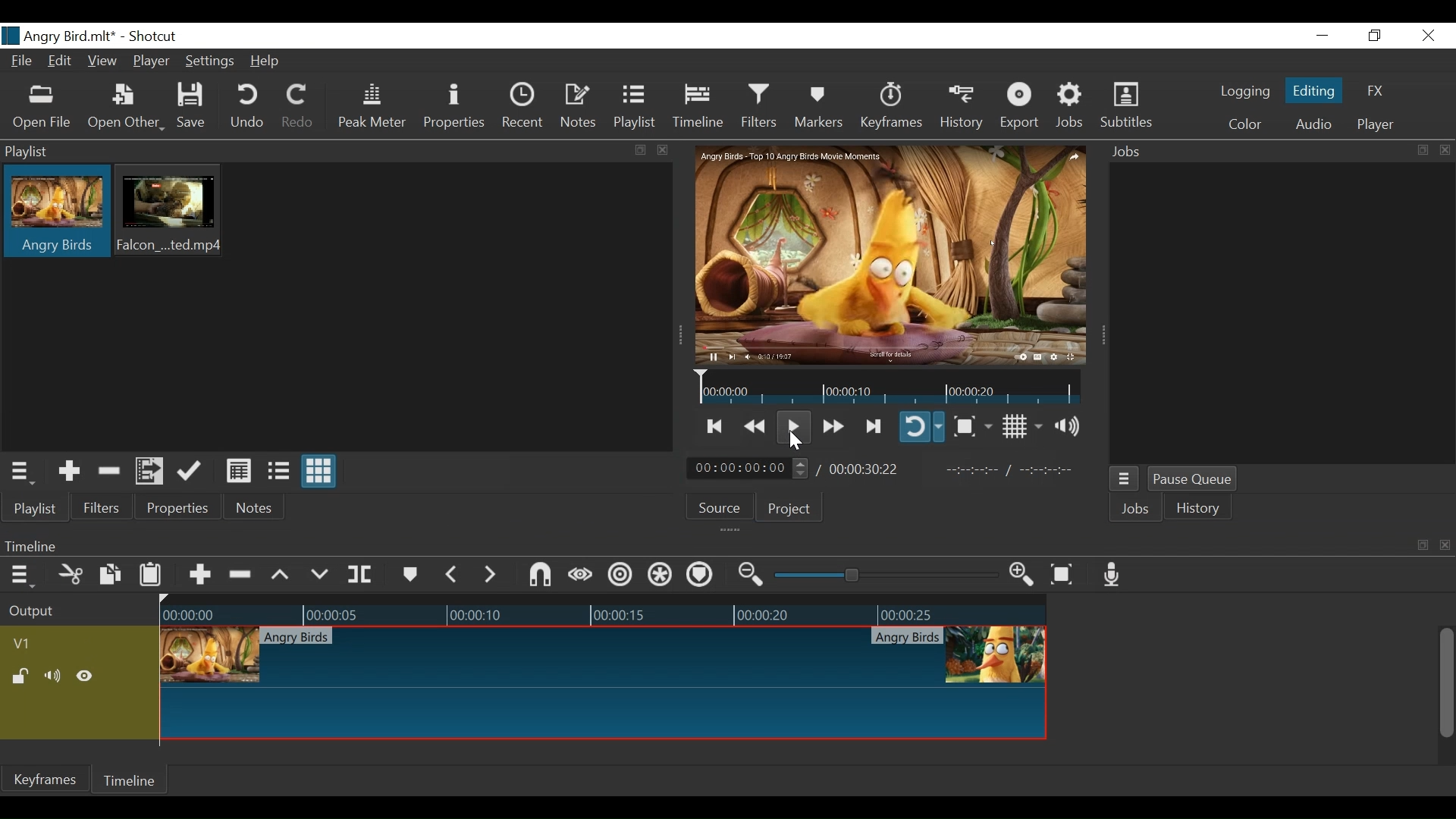 The image size is (1456, 819). What do you see at coordinates (25, 62) in the screenshot?
I see `File` at bounding box center [25, 62].